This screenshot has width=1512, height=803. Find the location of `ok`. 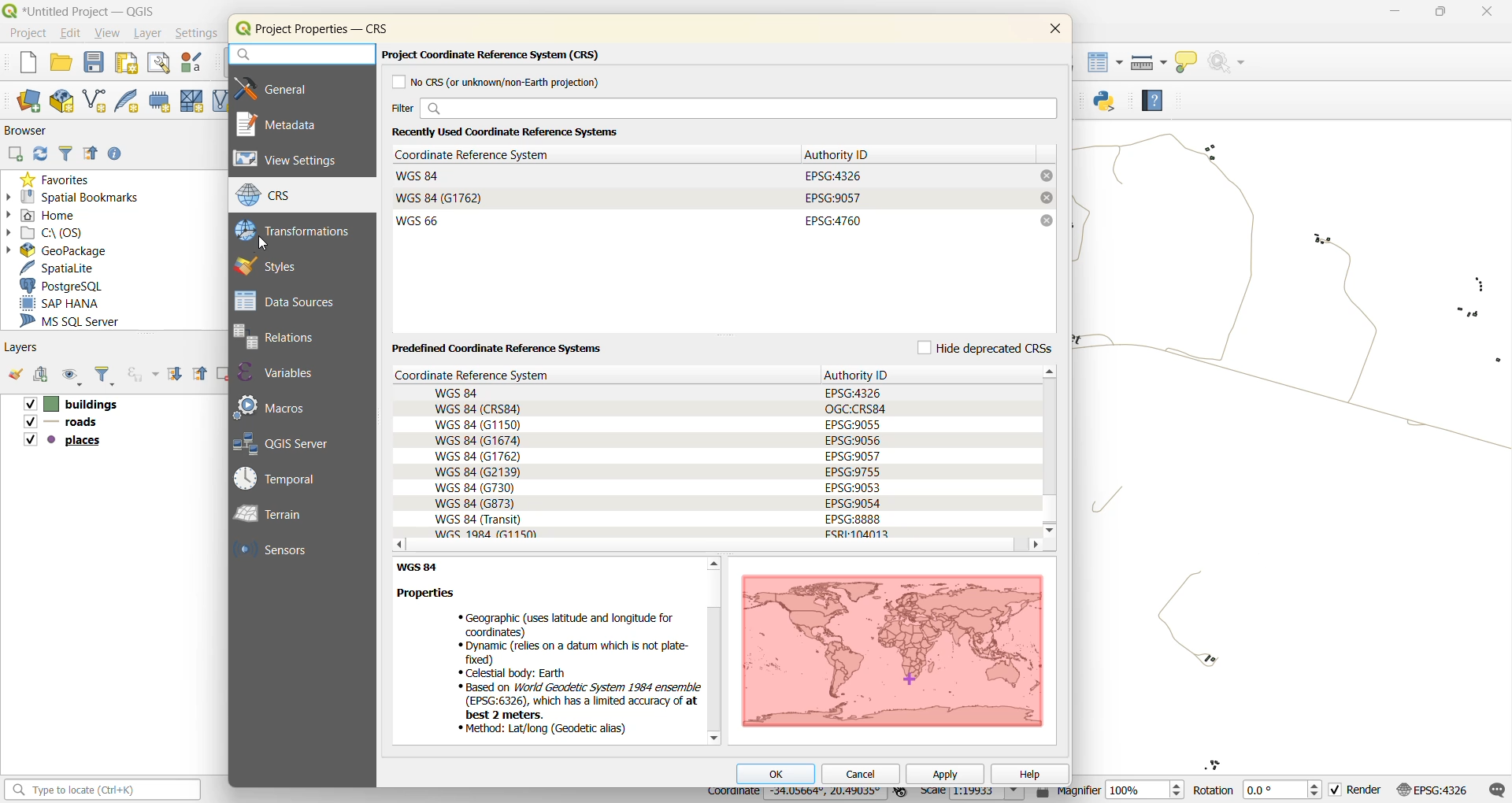

ok is located at coordinates (776, 772).